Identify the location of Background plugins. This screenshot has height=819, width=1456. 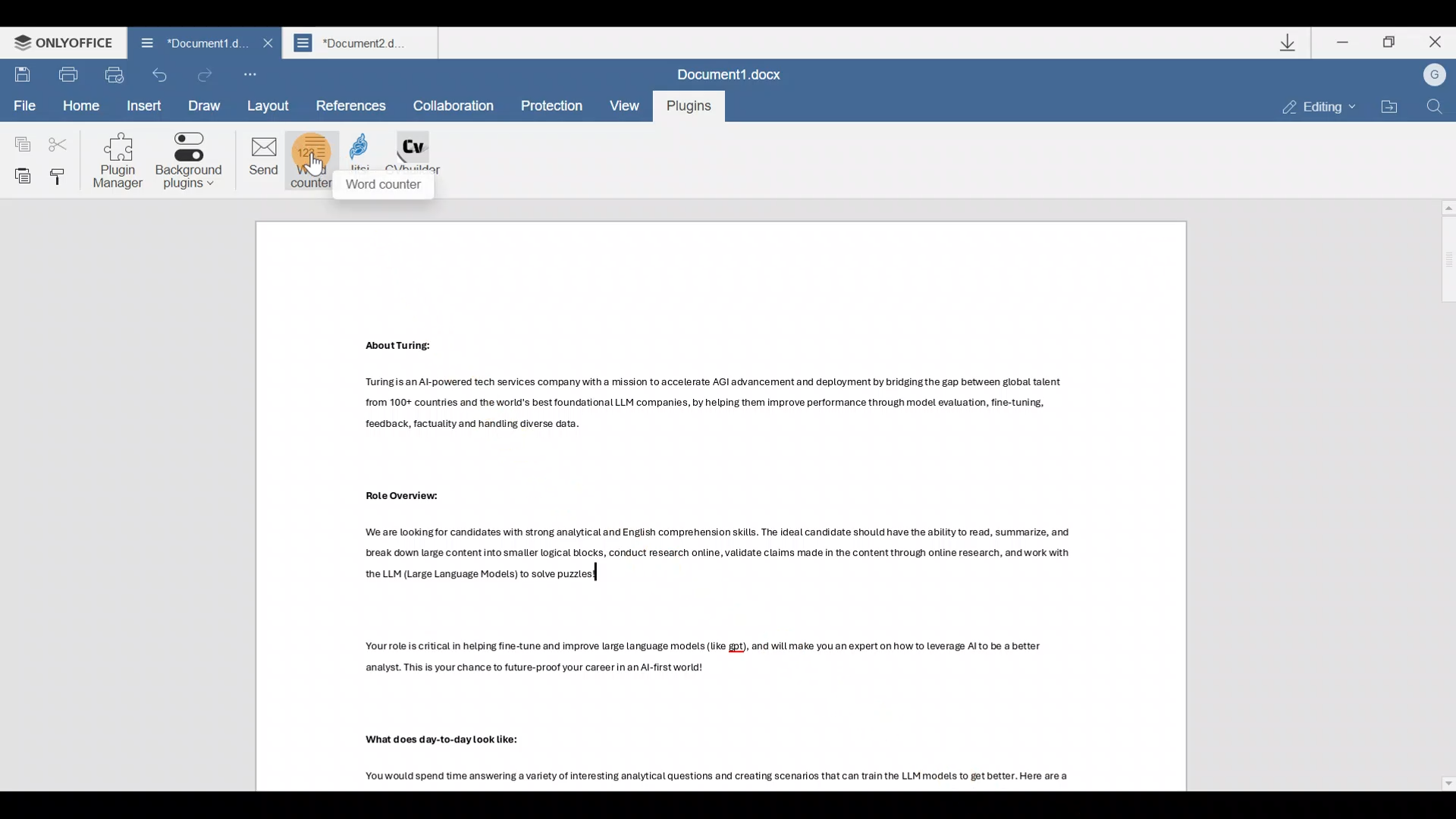
(192, 162).